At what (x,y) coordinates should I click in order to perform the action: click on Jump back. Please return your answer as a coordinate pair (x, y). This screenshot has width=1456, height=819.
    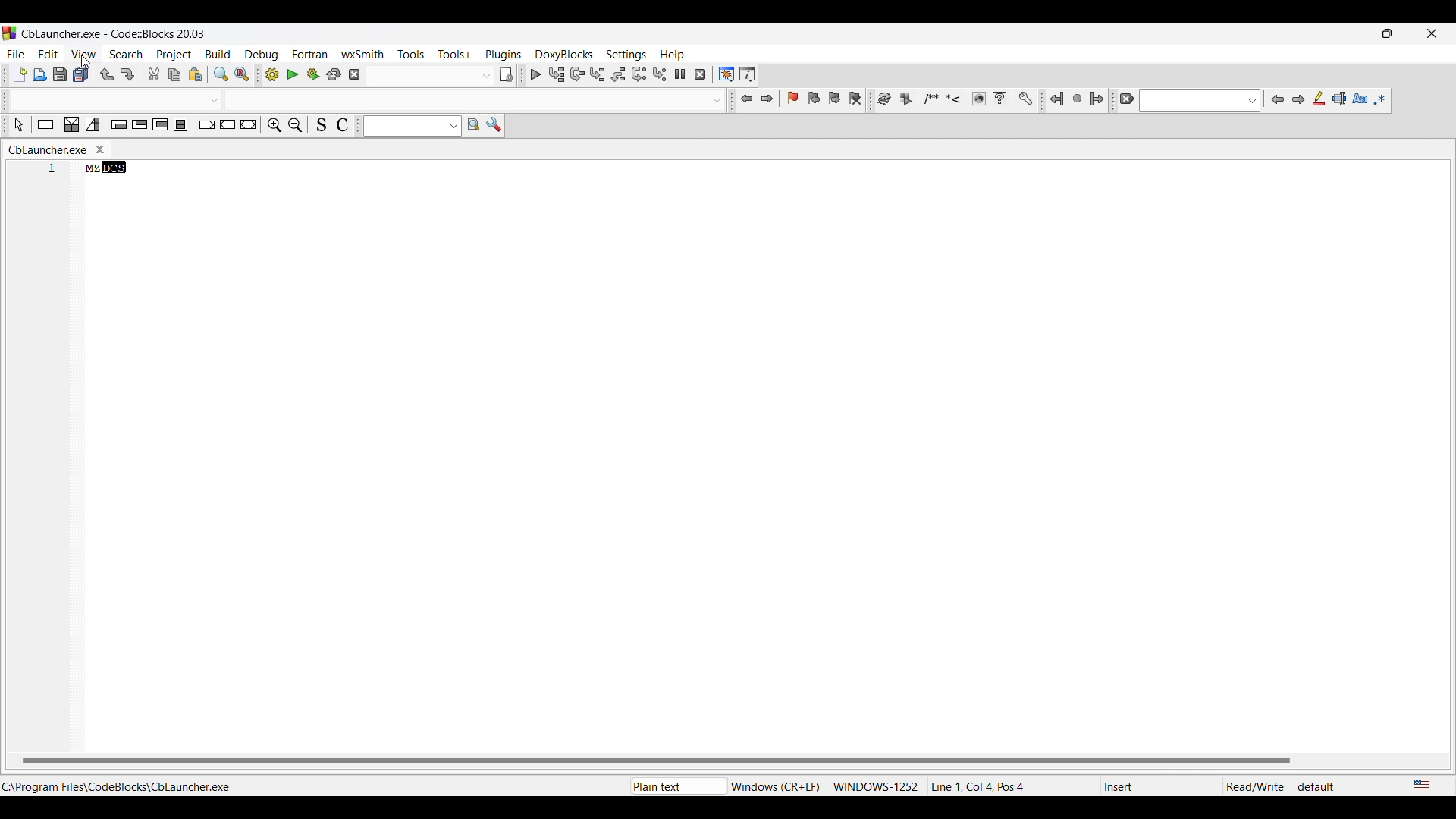
    Looking at the image, I should click on (748, 99).